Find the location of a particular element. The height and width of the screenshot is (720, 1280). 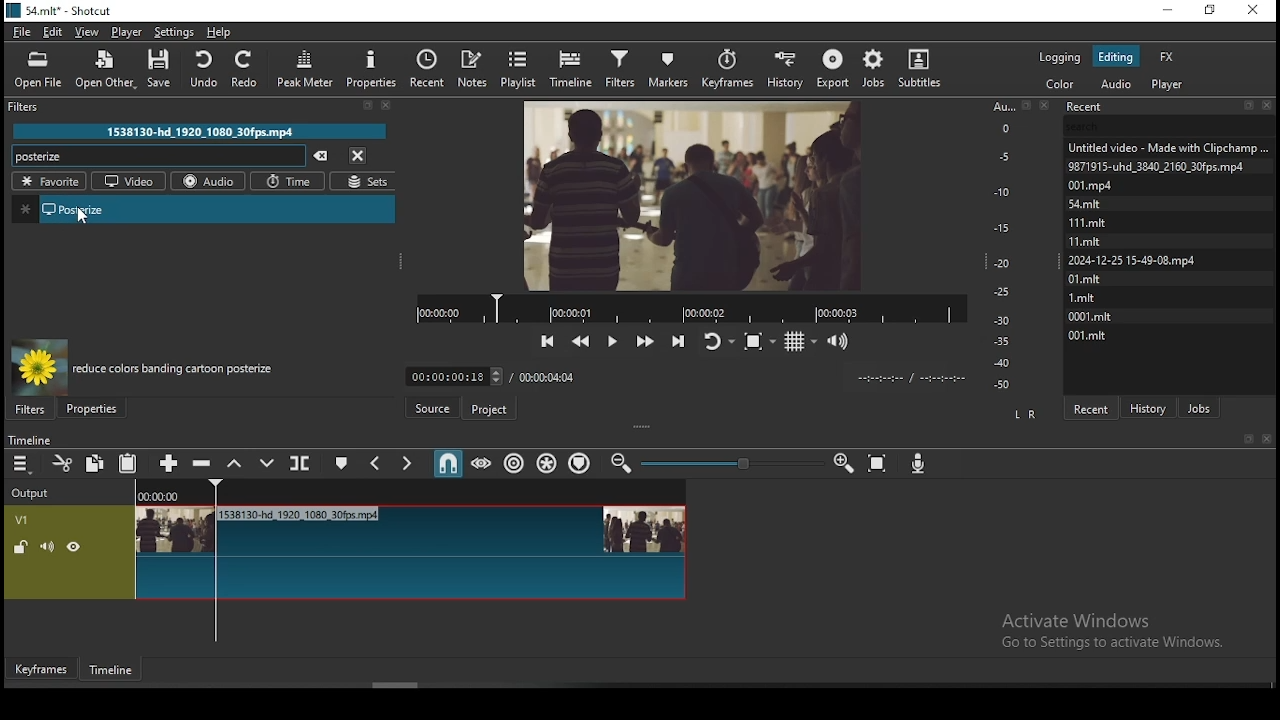

subtitles is located at coordinates (920, 69).